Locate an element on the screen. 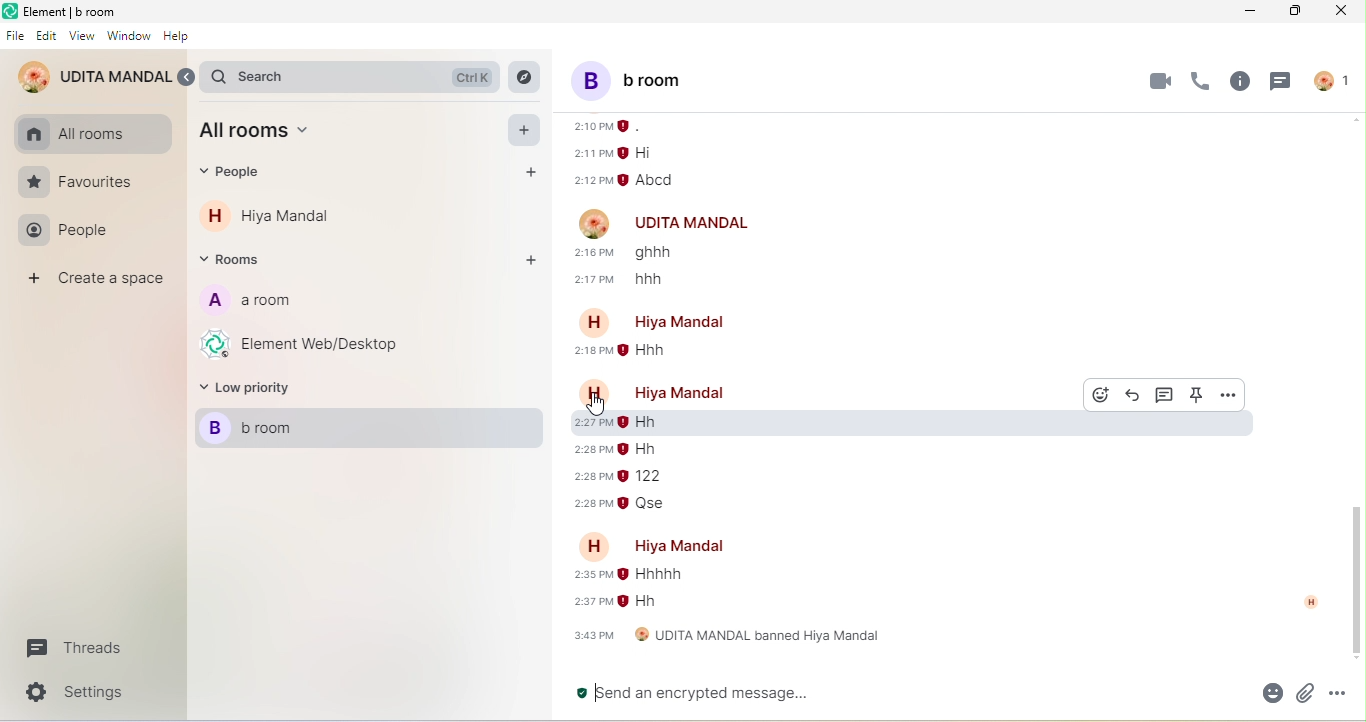 This screenshot has height=722, width=1366. sending message time is located at coordinates (583, 452).